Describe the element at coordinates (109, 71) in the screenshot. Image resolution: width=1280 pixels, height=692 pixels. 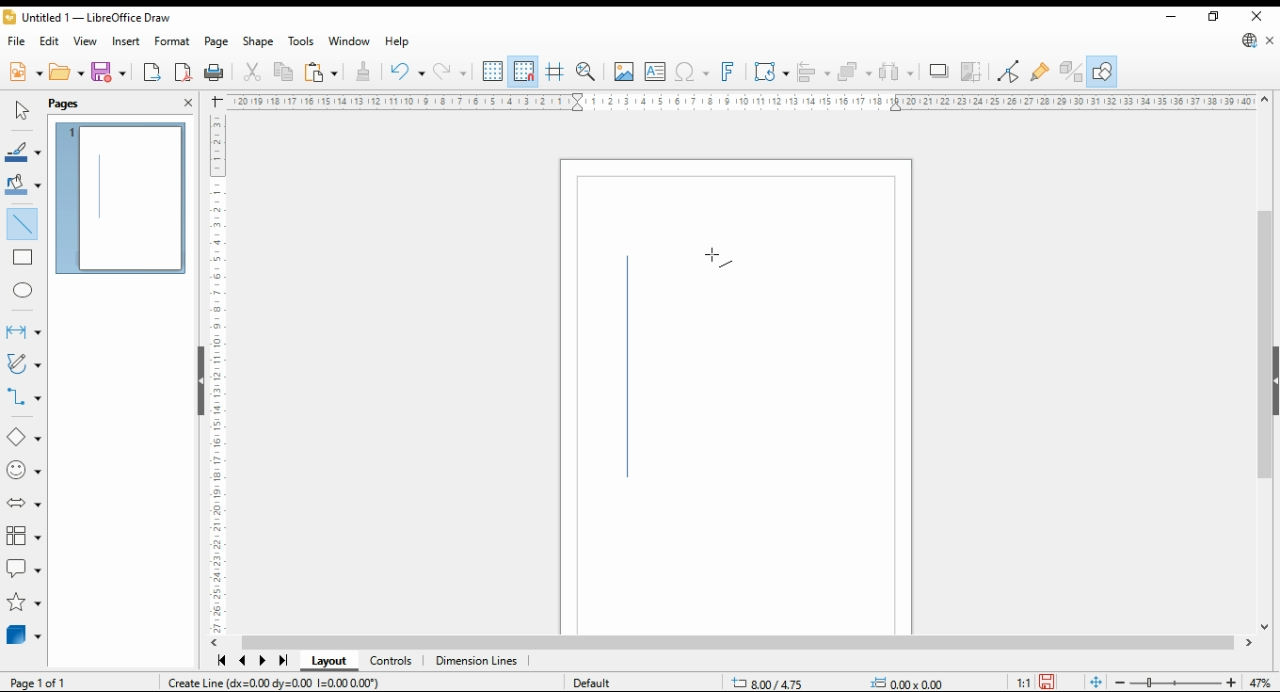
I see `save` at that location.